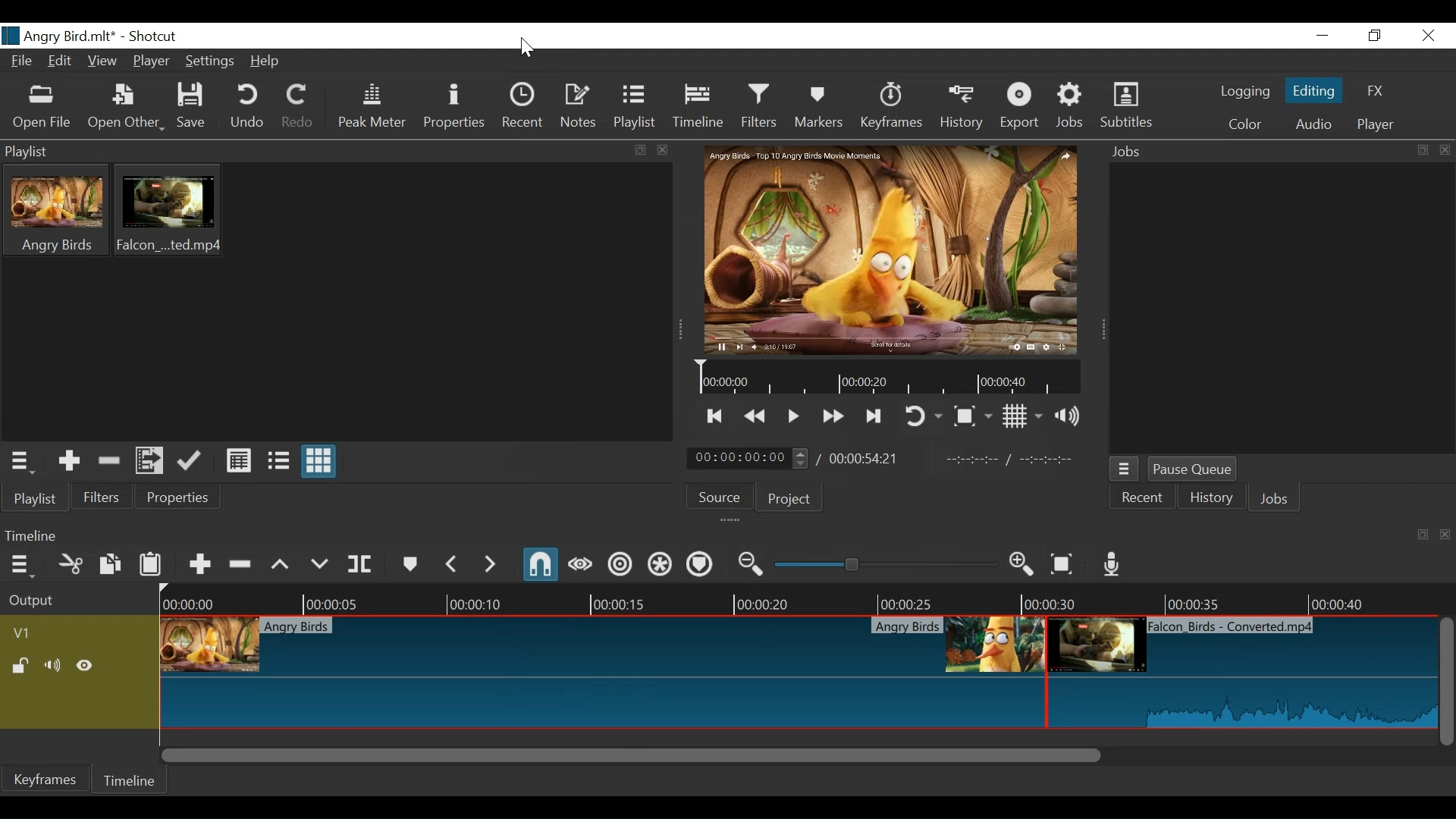  I want to click on Append, so click(199, 566).